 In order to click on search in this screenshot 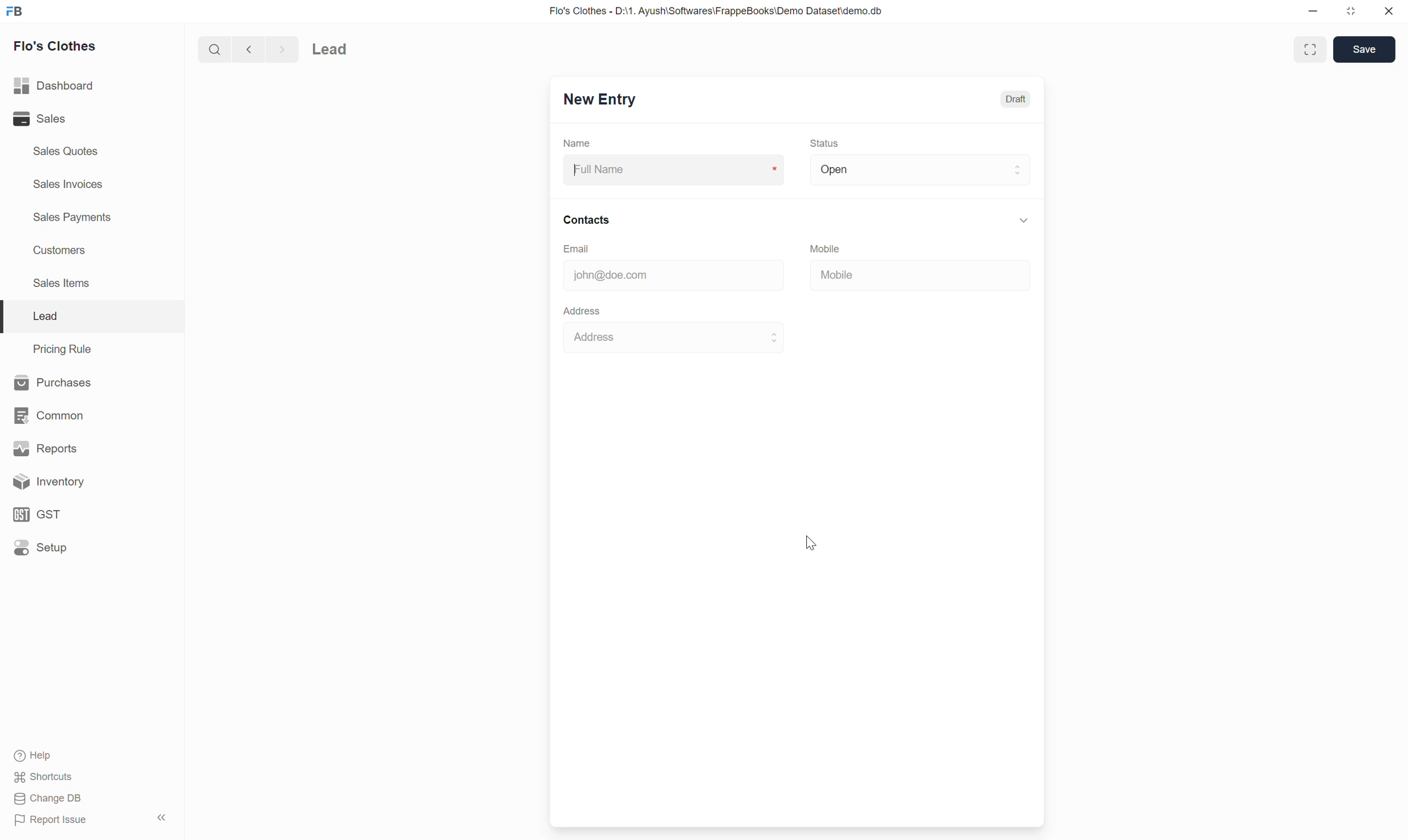, I will do `click(213, 48)`.